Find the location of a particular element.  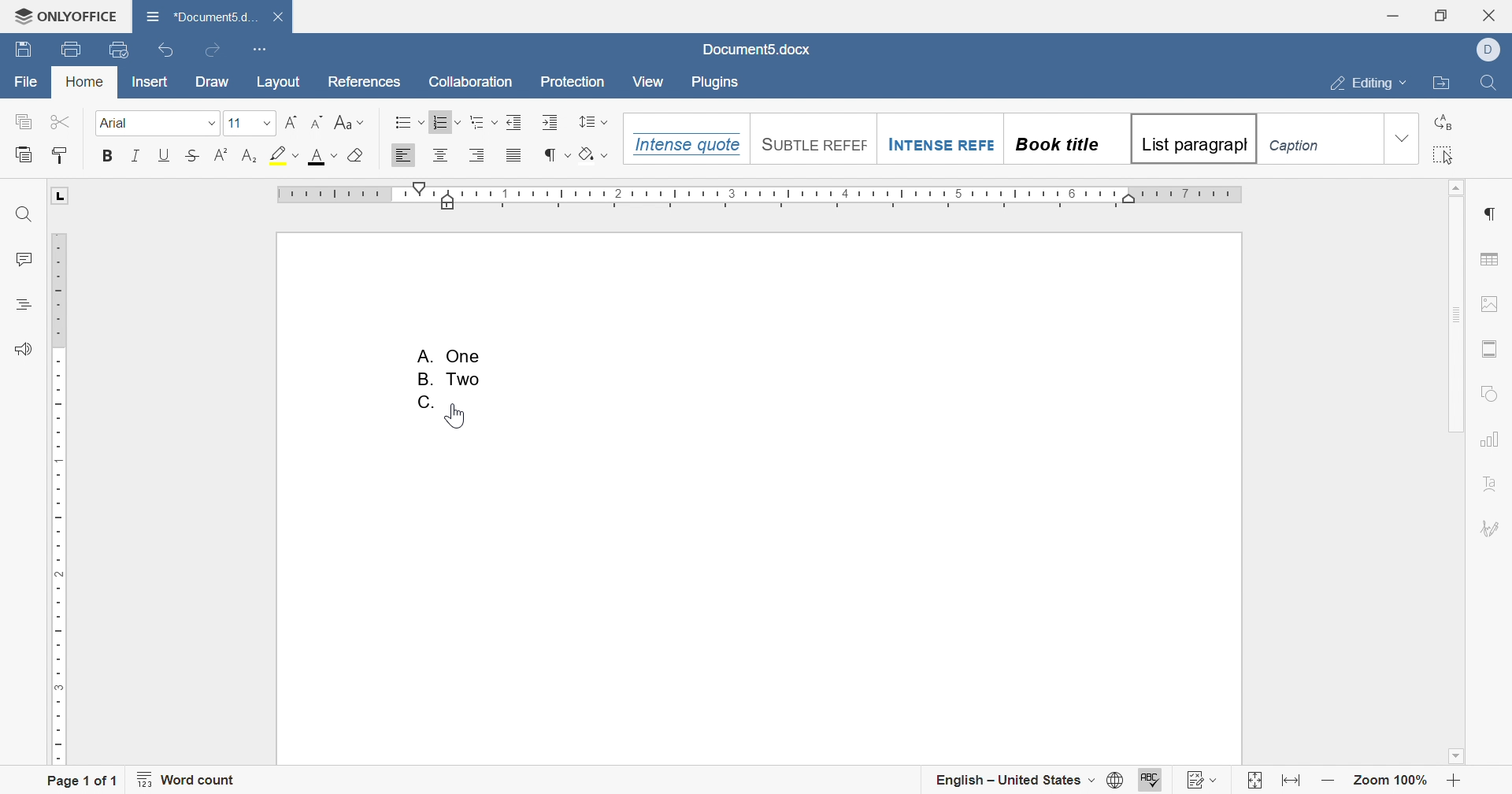

Increase indent is located at coordinates (551, 122).